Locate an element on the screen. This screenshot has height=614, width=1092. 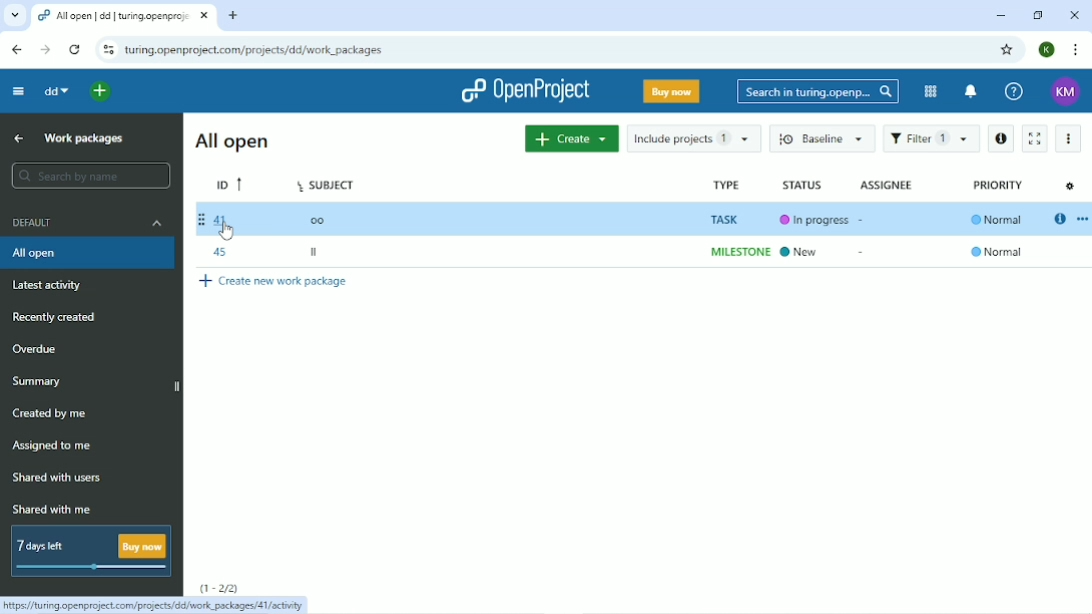
Collapse project menu is located at coordinates (18, 92).